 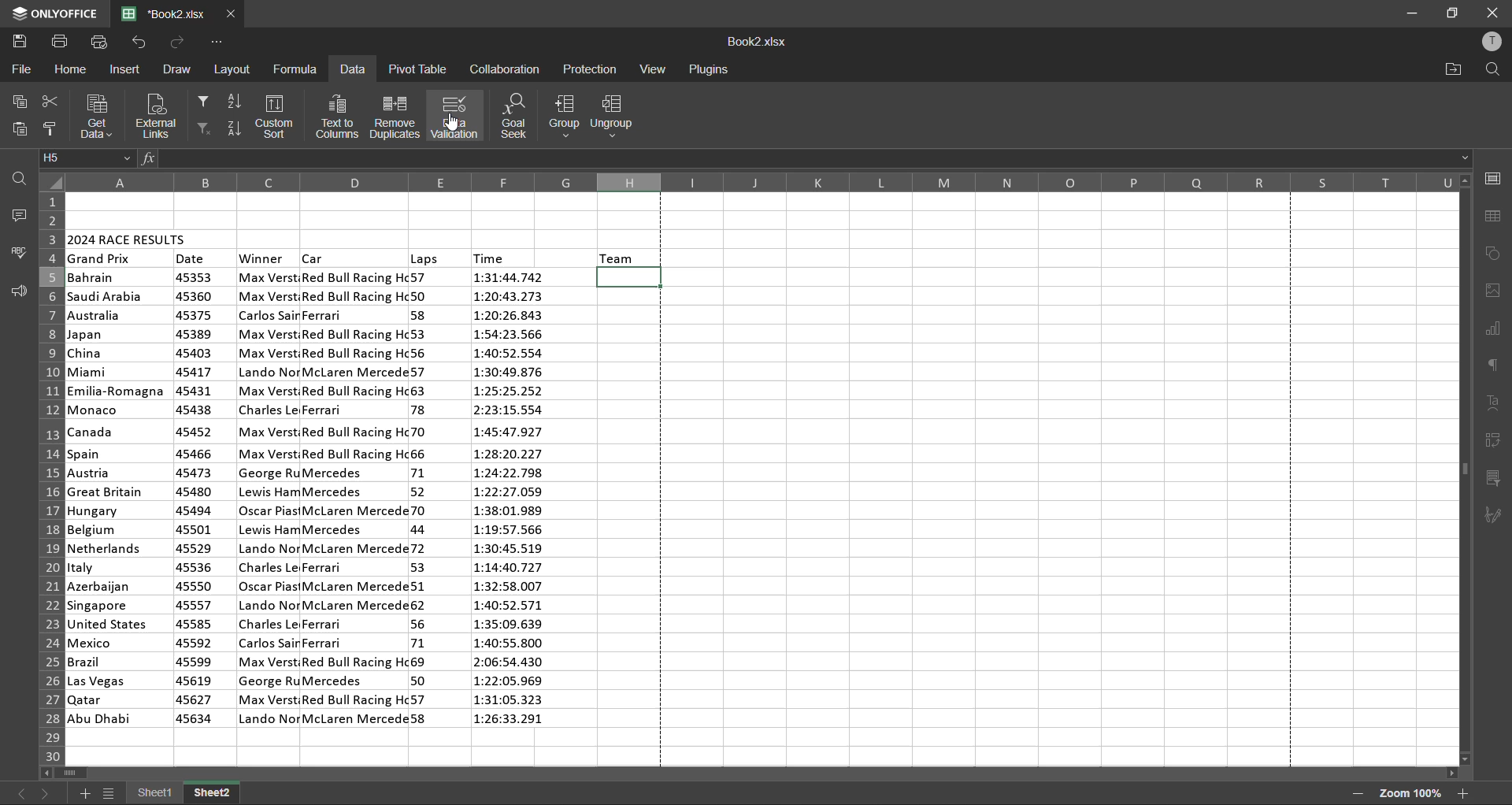 What do you see at coordinates (618, 257) in the screenshot?
I see `team` at bounding box center [618, 257].